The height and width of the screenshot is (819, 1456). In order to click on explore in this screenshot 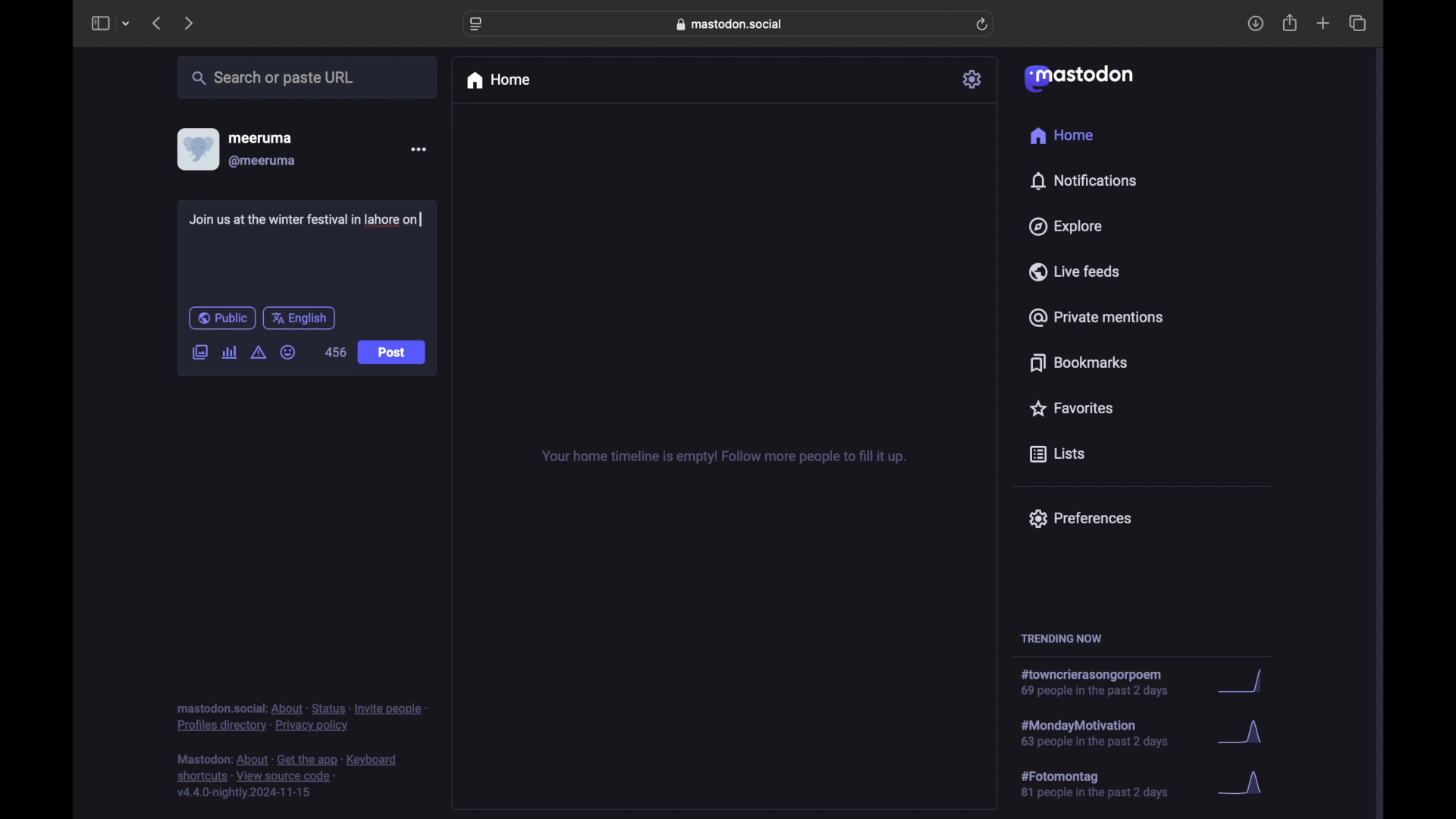, I will do `click(1064, 227)`.